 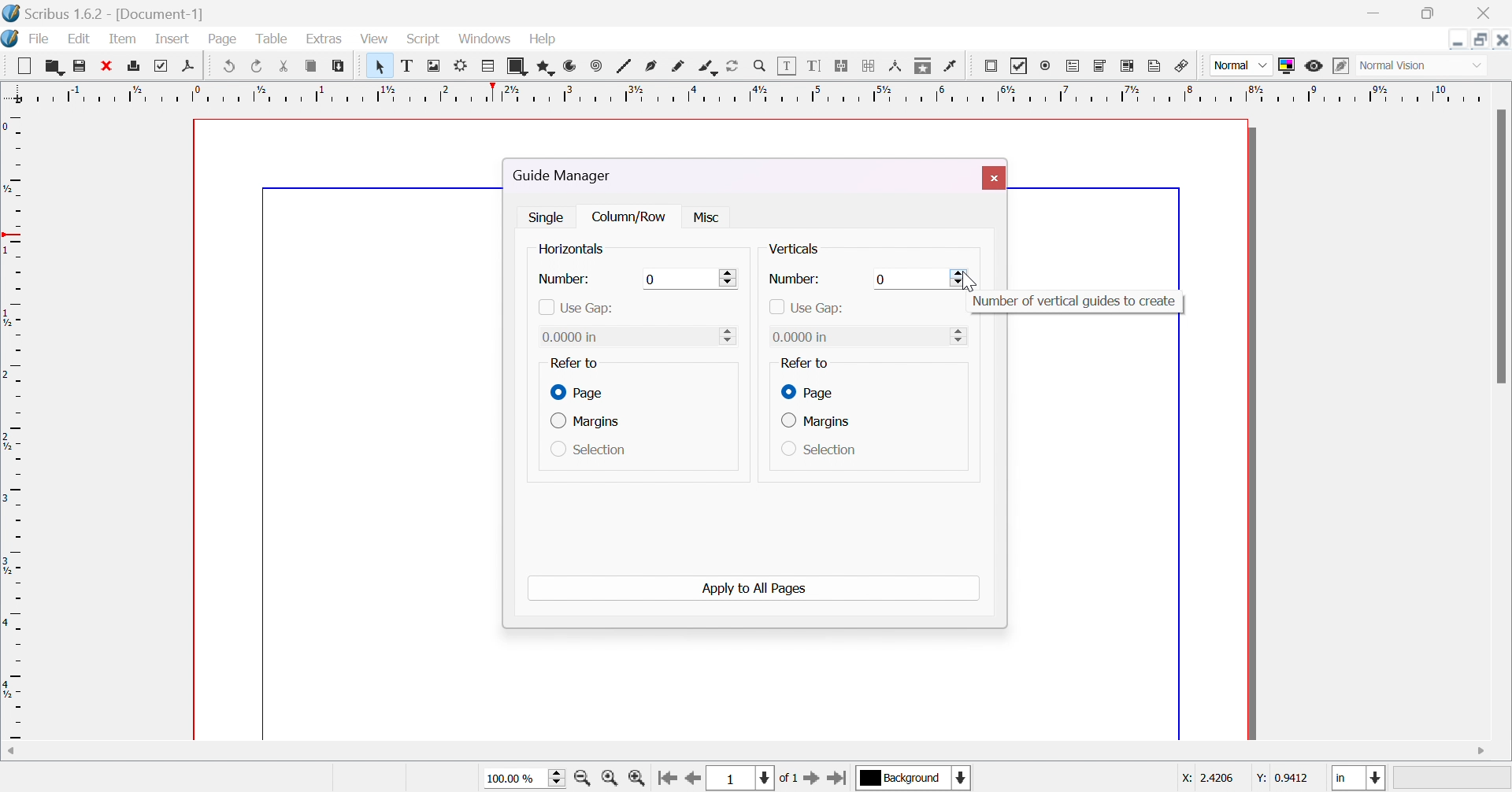 I want to click on text annotation, so click(x=1158, y=67).